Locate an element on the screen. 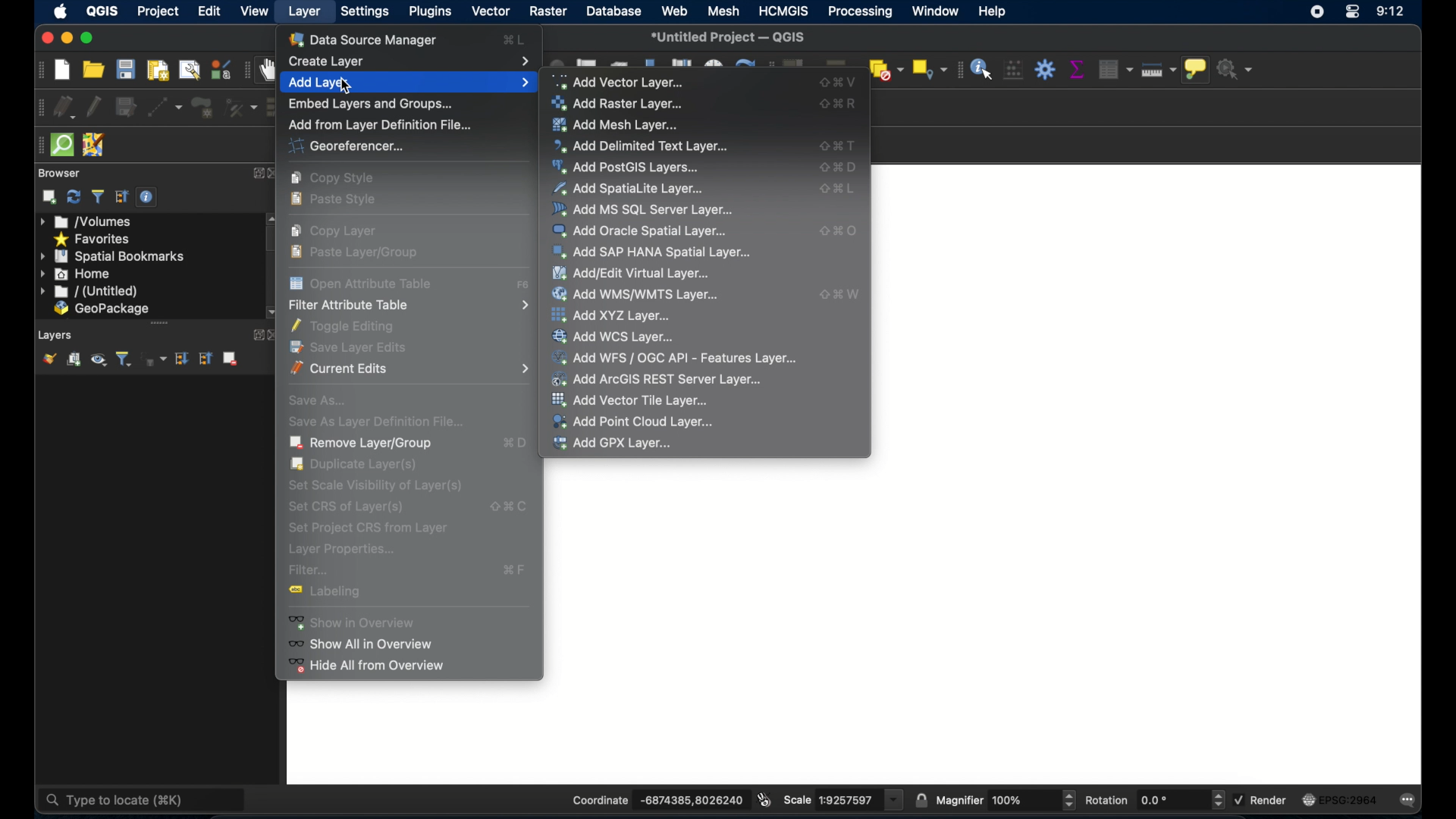  pan map is located at coordinates (270, 71).